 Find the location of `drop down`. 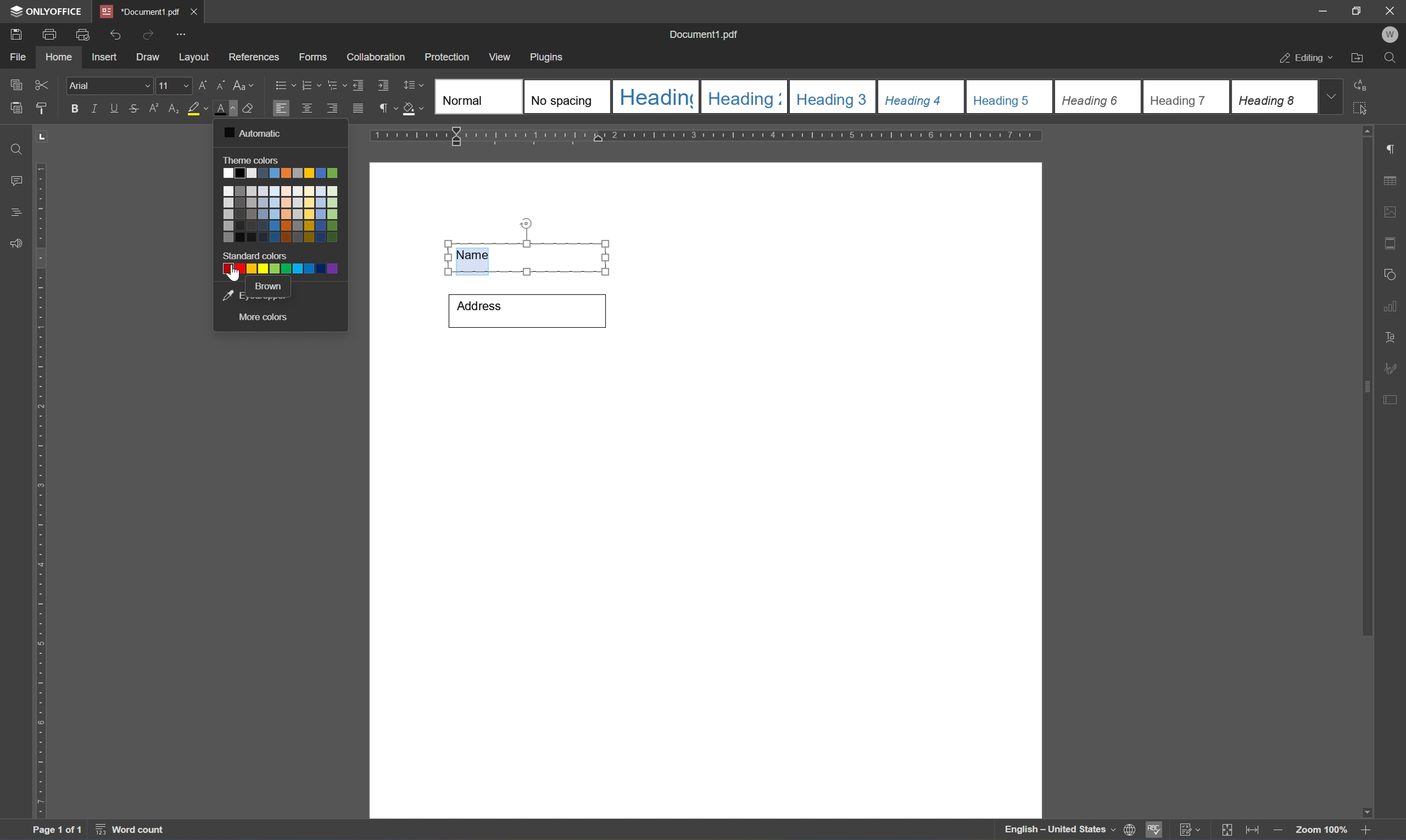

drop down is located at coordinates (1335, 97).